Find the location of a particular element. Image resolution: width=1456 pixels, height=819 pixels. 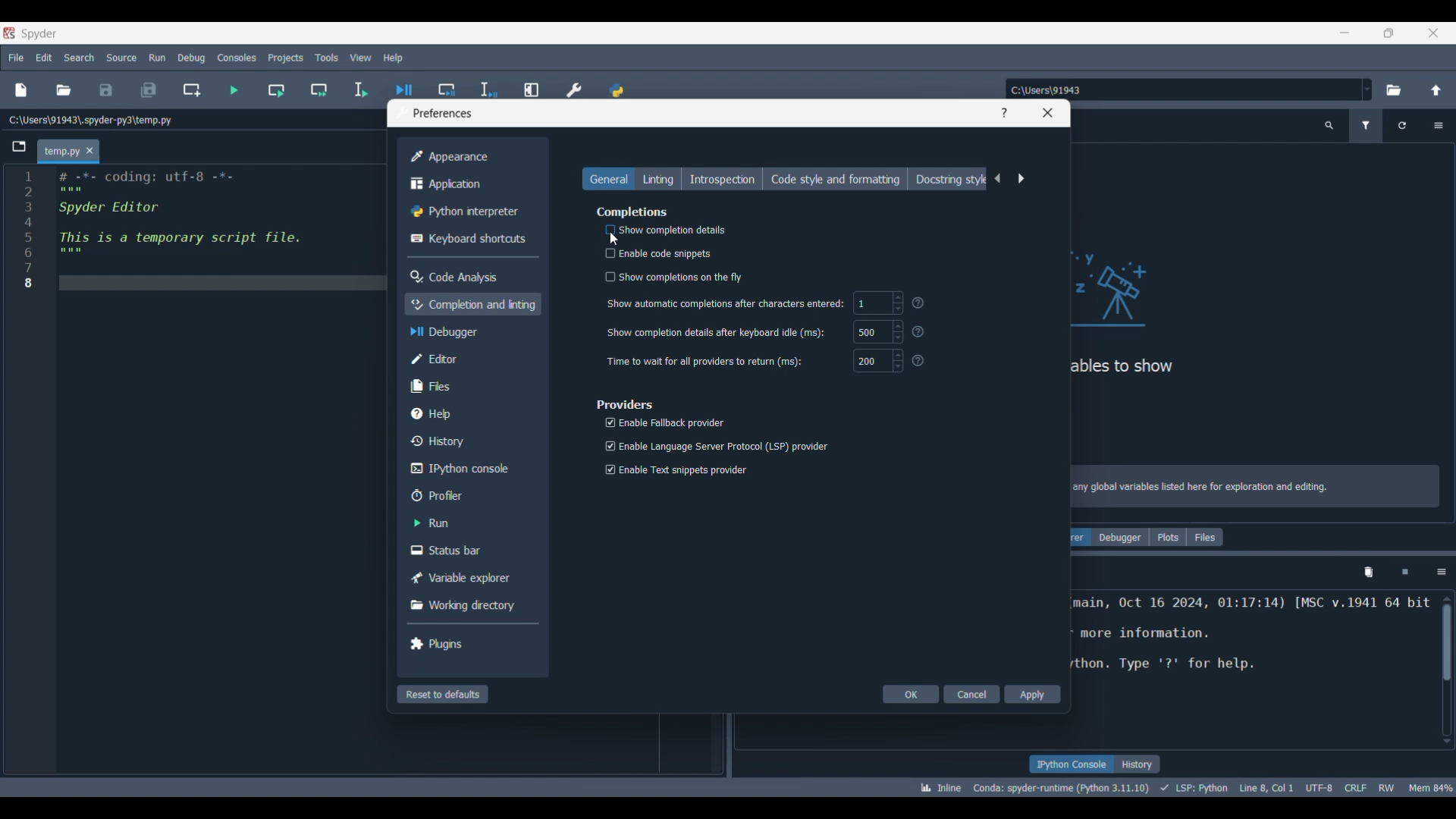

File menu is located at coordinates (16, 58).